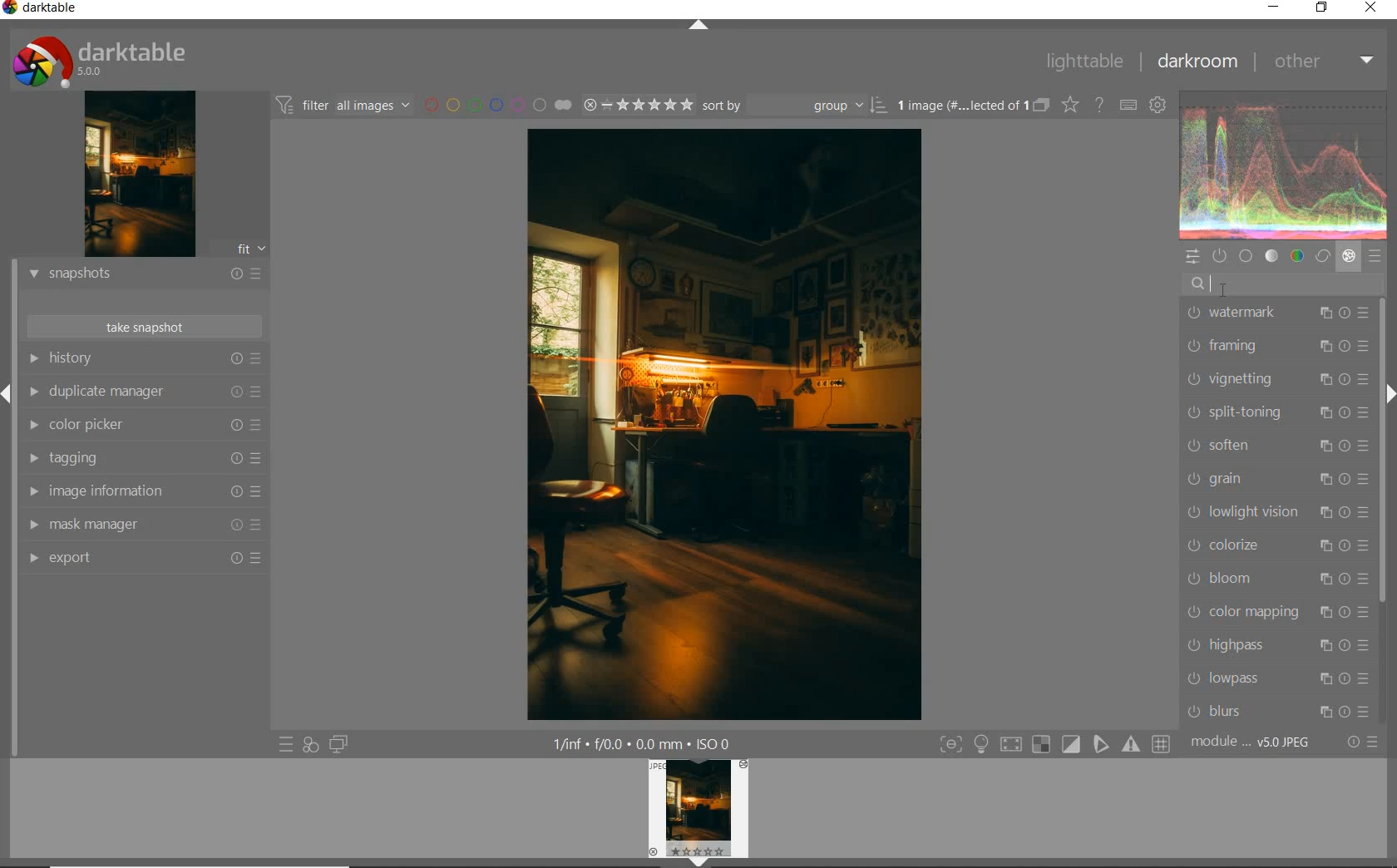 This screenshot has width=1397, height=868. Describe the element at coordinates (1277, 511) in the screenshot. I see `lowlight vision` at that location.